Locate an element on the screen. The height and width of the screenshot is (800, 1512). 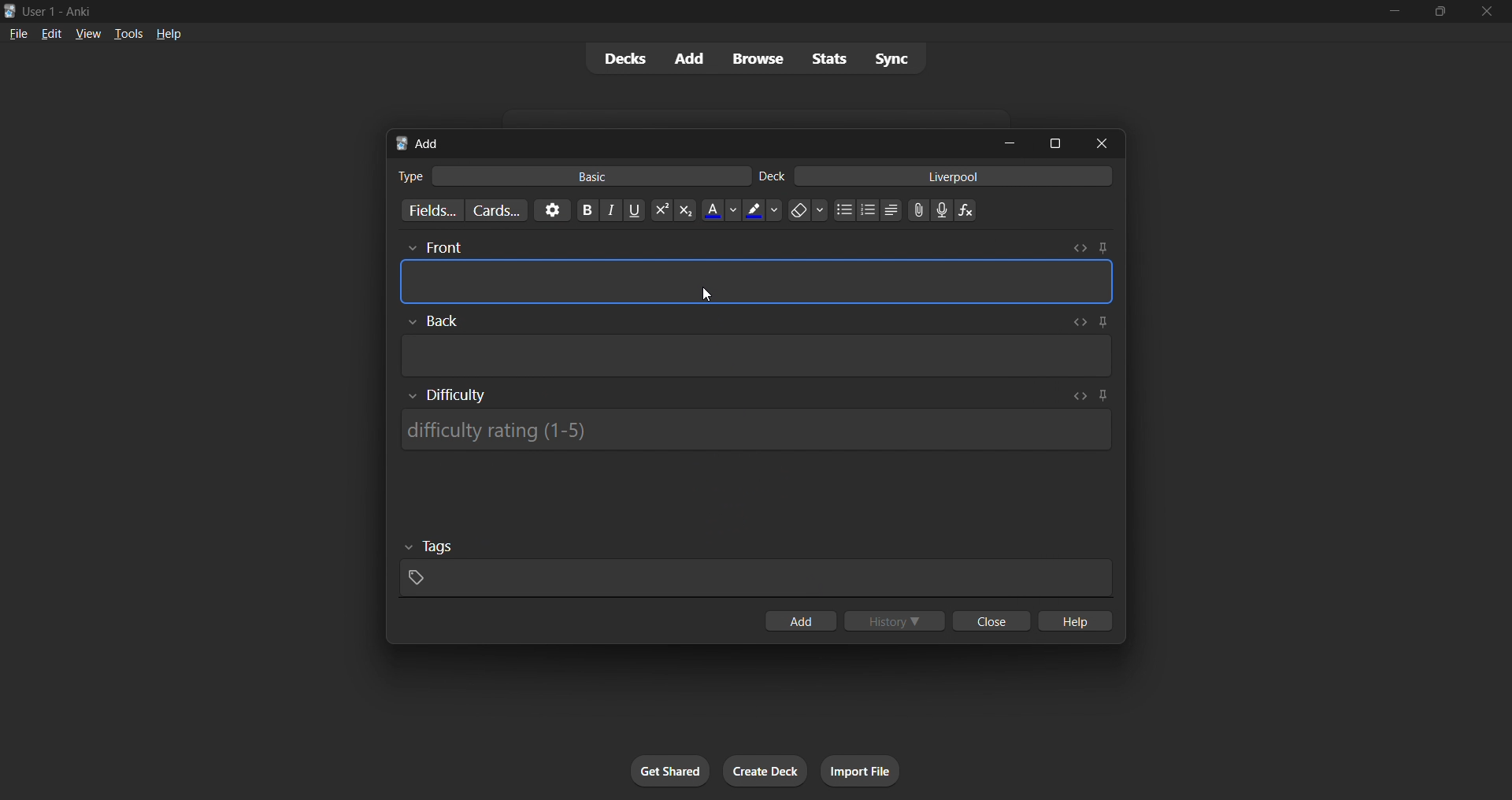
Text highlighting color is located at coordinates (763, 210).